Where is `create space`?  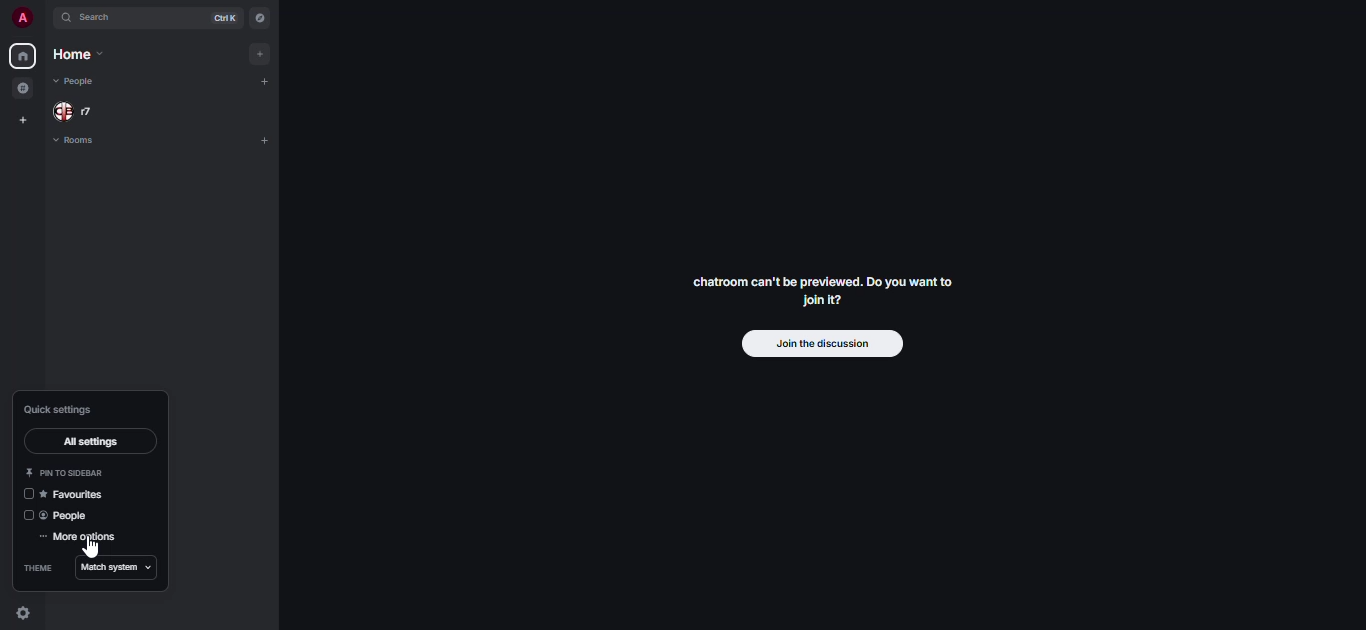 create space is located at coordinates (22, 120).